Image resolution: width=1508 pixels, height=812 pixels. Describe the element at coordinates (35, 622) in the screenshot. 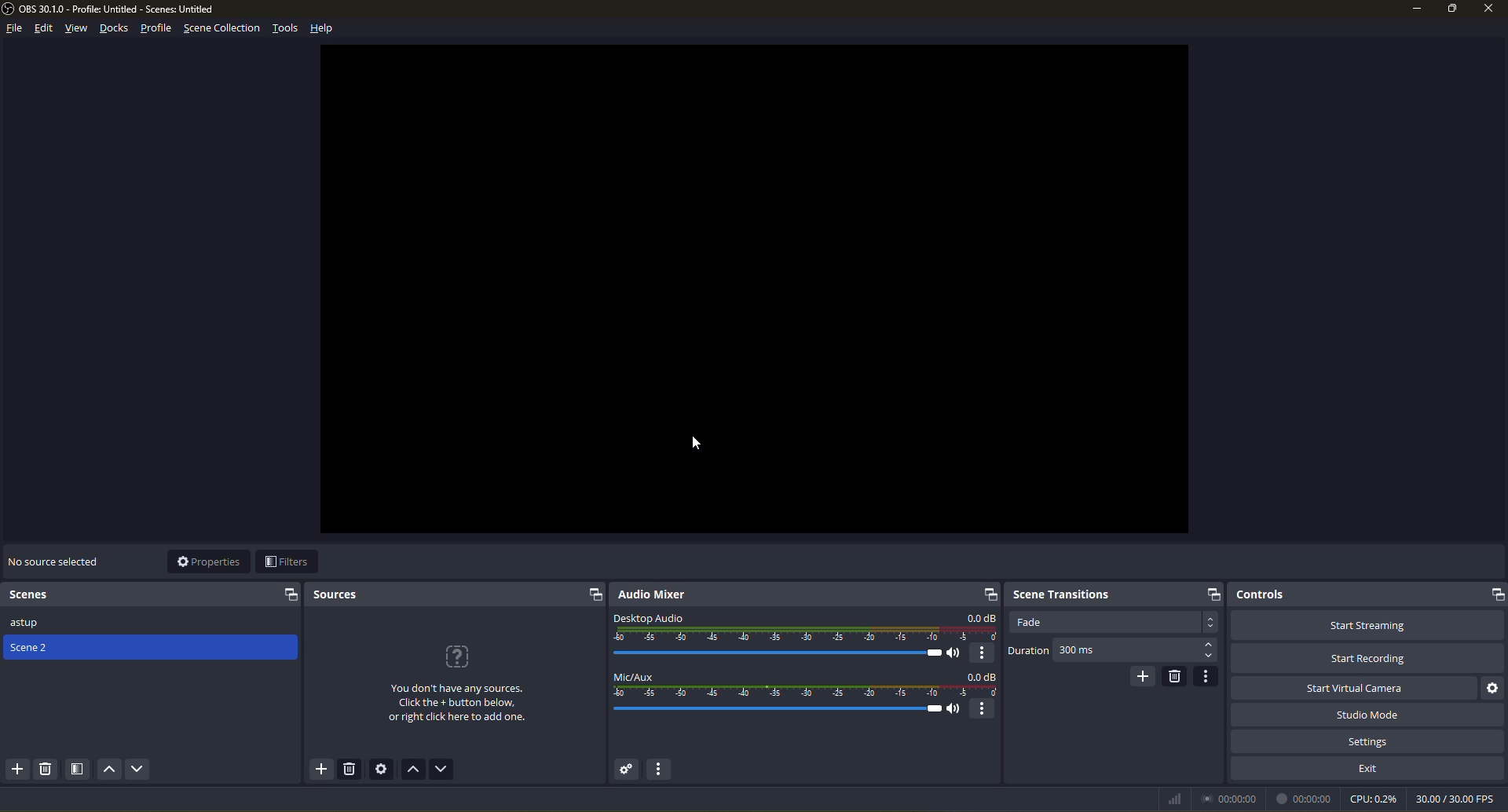

I see `astup` at that location.